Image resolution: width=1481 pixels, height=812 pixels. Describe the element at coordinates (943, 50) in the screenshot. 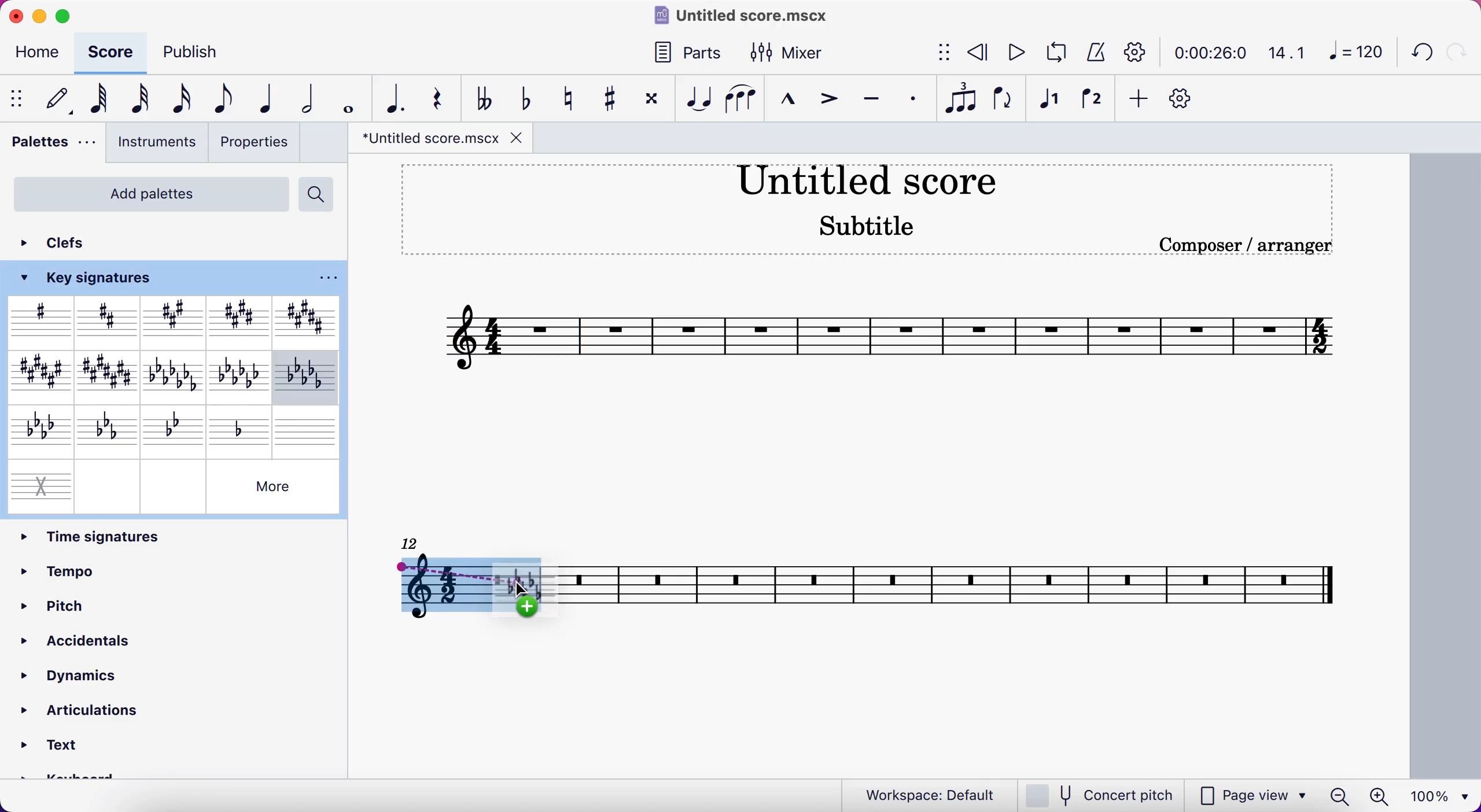

I see `show/hide` at that location.